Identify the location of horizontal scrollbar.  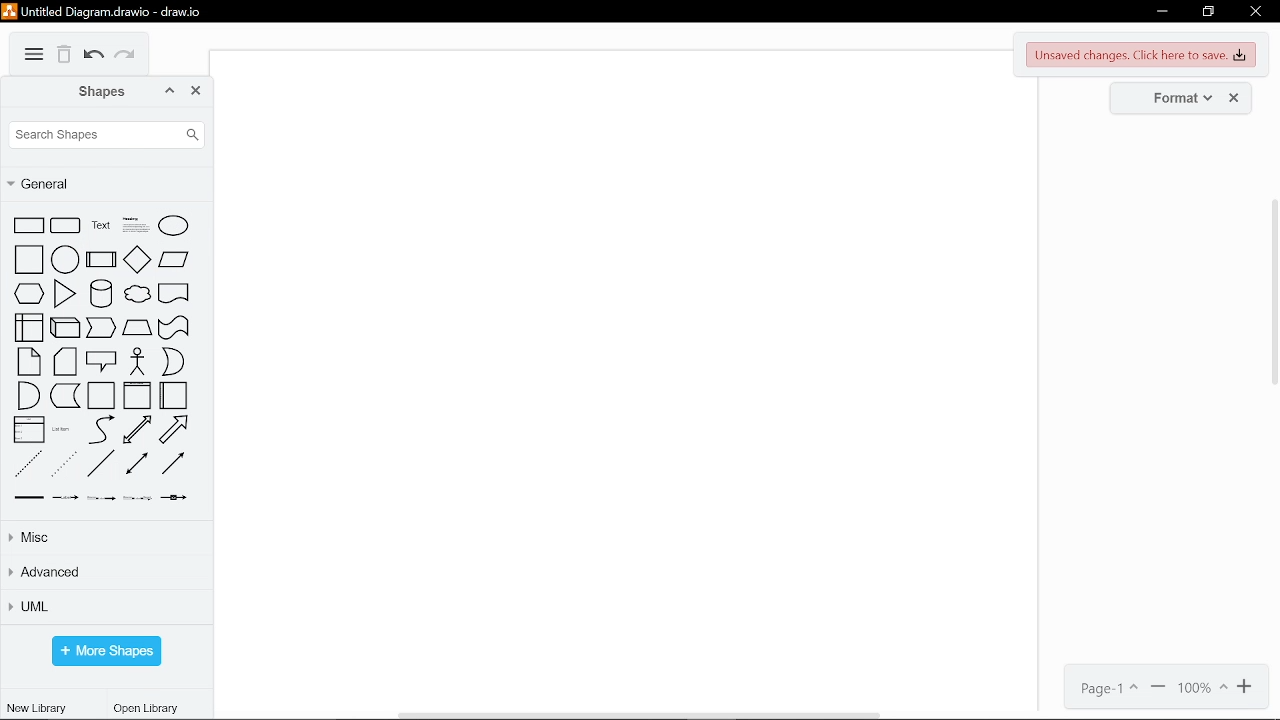
(642, 715).